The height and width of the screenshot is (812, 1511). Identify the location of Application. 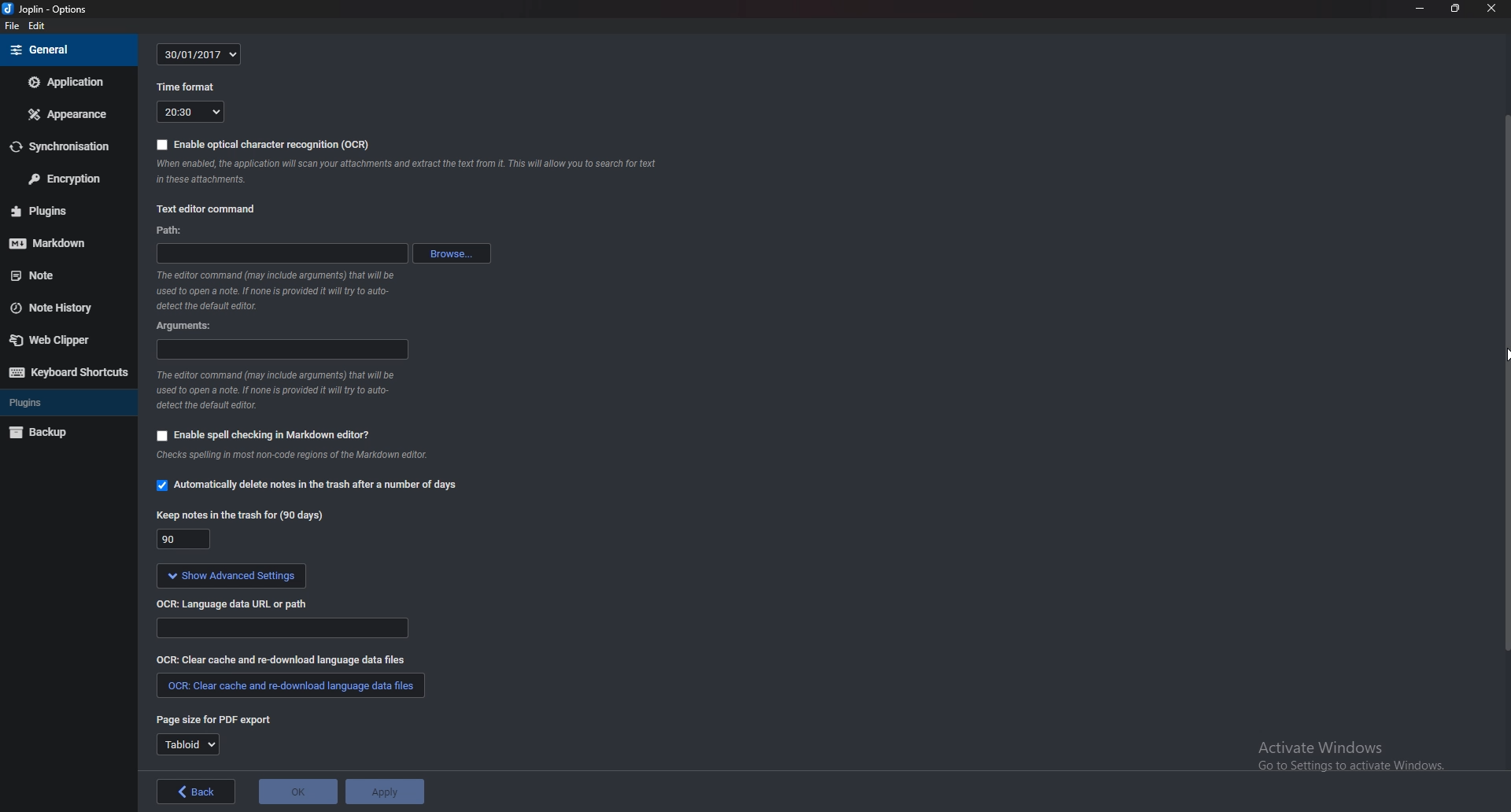
(68, 83).